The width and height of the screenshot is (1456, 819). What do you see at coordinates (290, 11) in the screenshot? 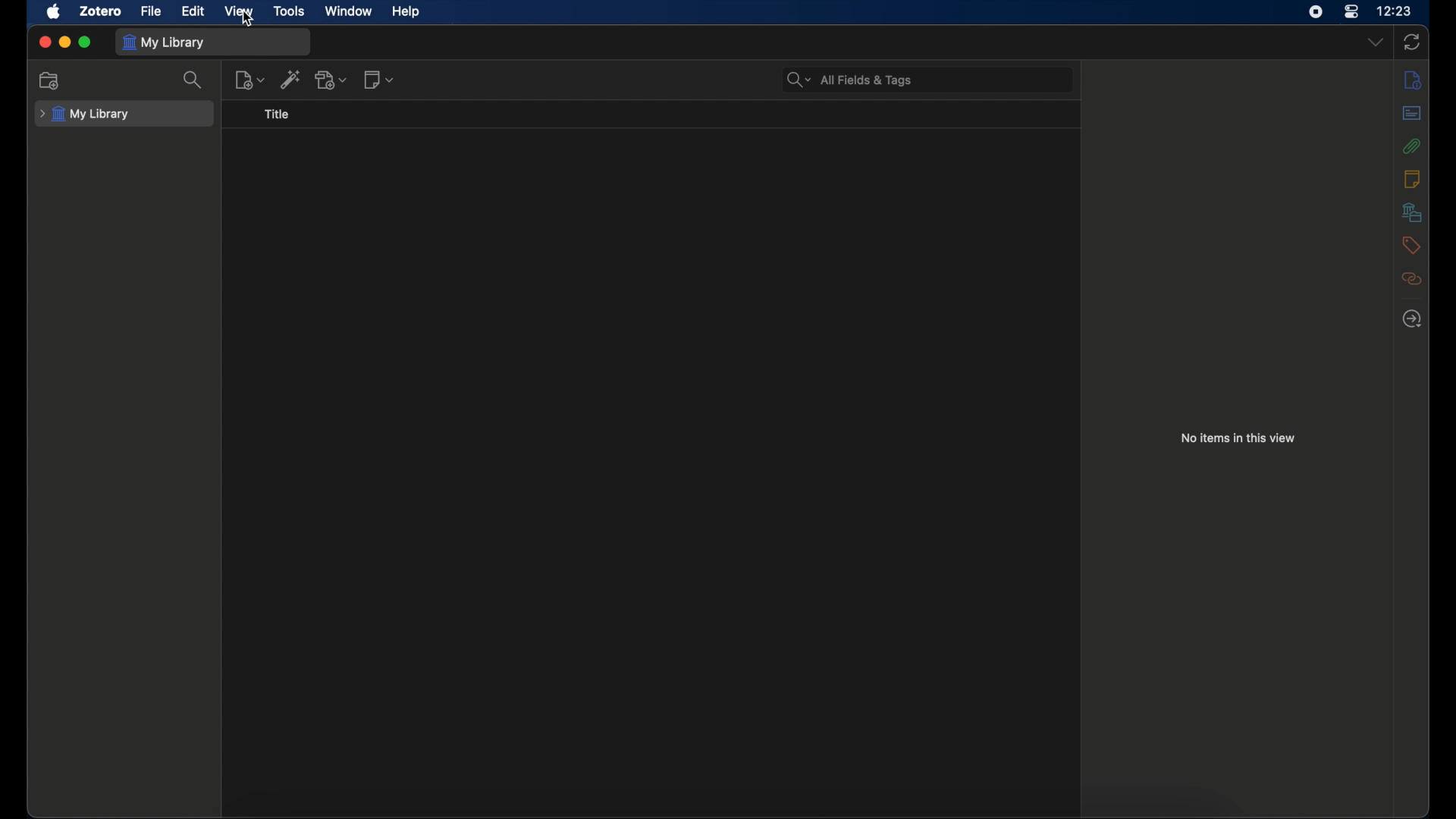
I see `tools` at bounding box center [290, 11].